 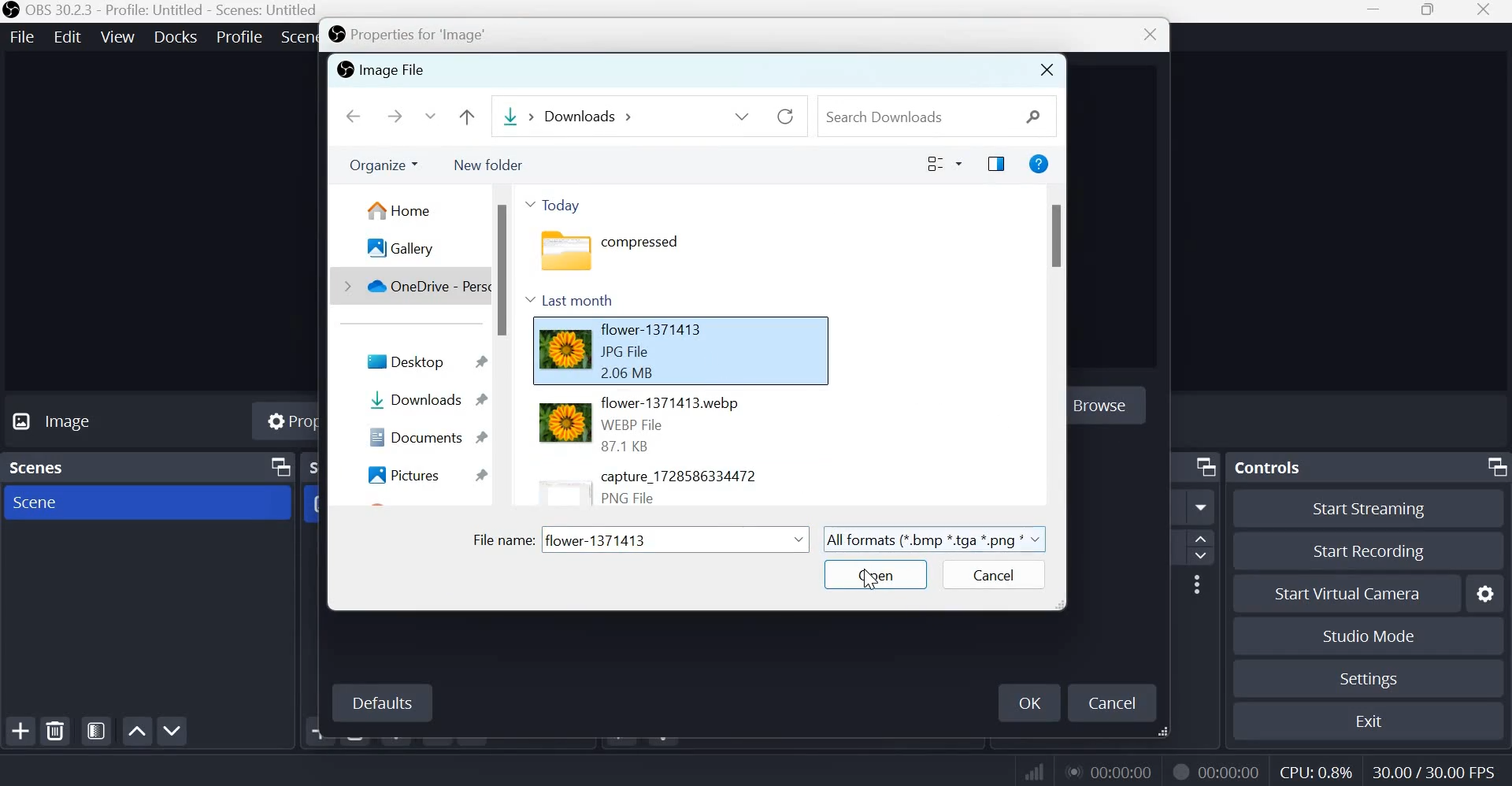 I want to click on get help, so click(x=1038, y=165).